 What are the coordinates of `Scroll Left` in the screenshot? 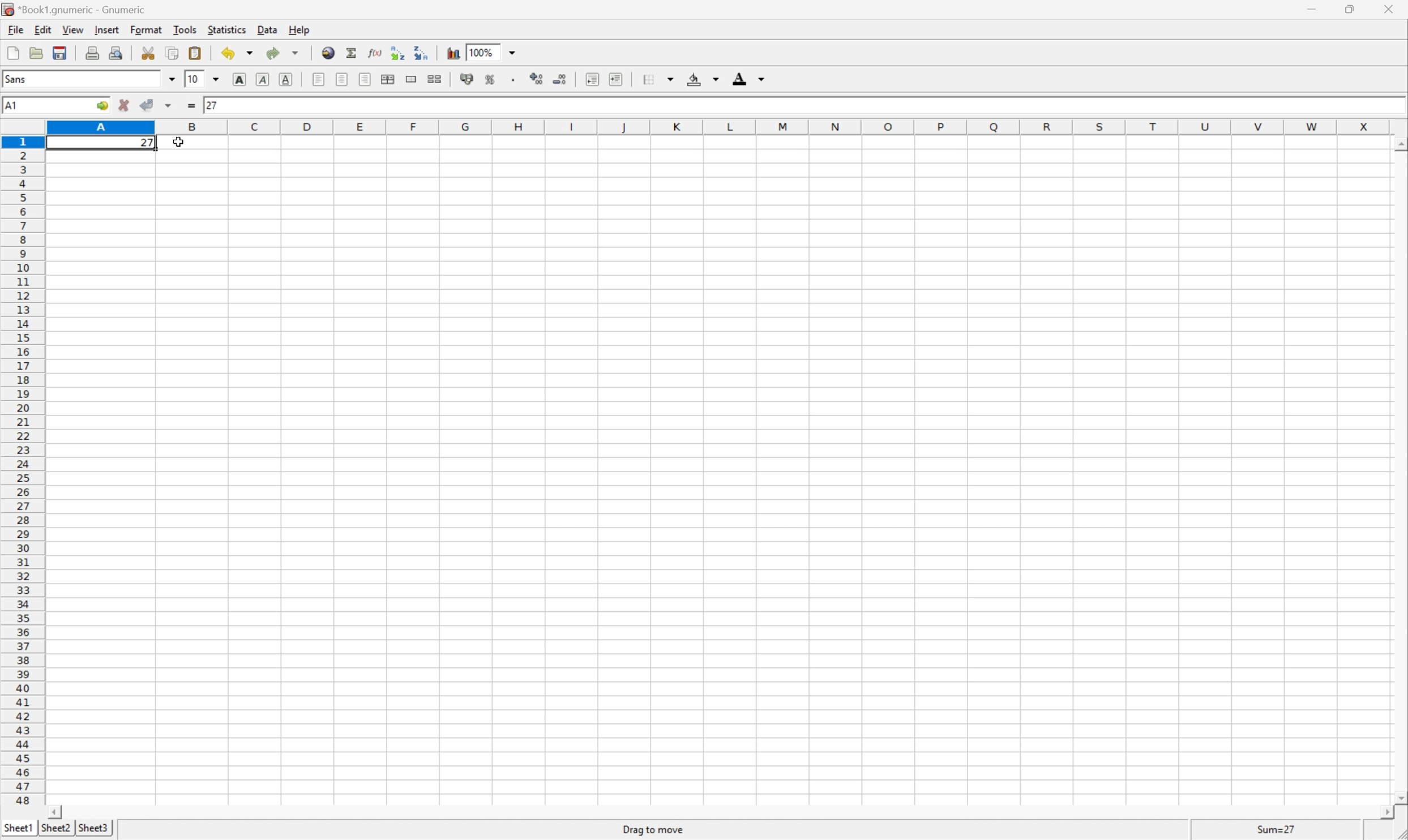 It's located at (52, 811).